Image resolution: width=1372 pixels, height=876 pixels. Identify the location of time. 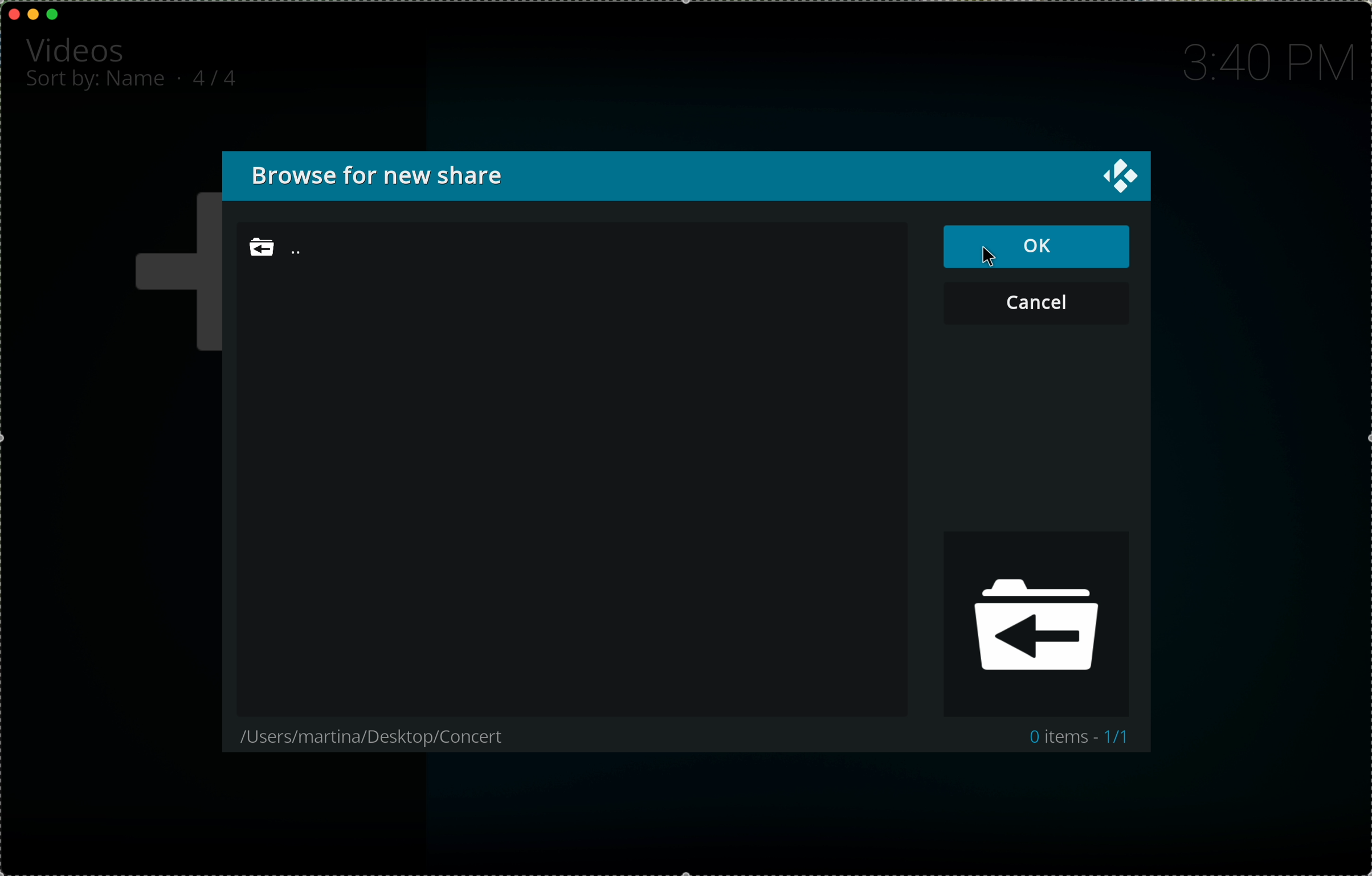
(1265, 63).